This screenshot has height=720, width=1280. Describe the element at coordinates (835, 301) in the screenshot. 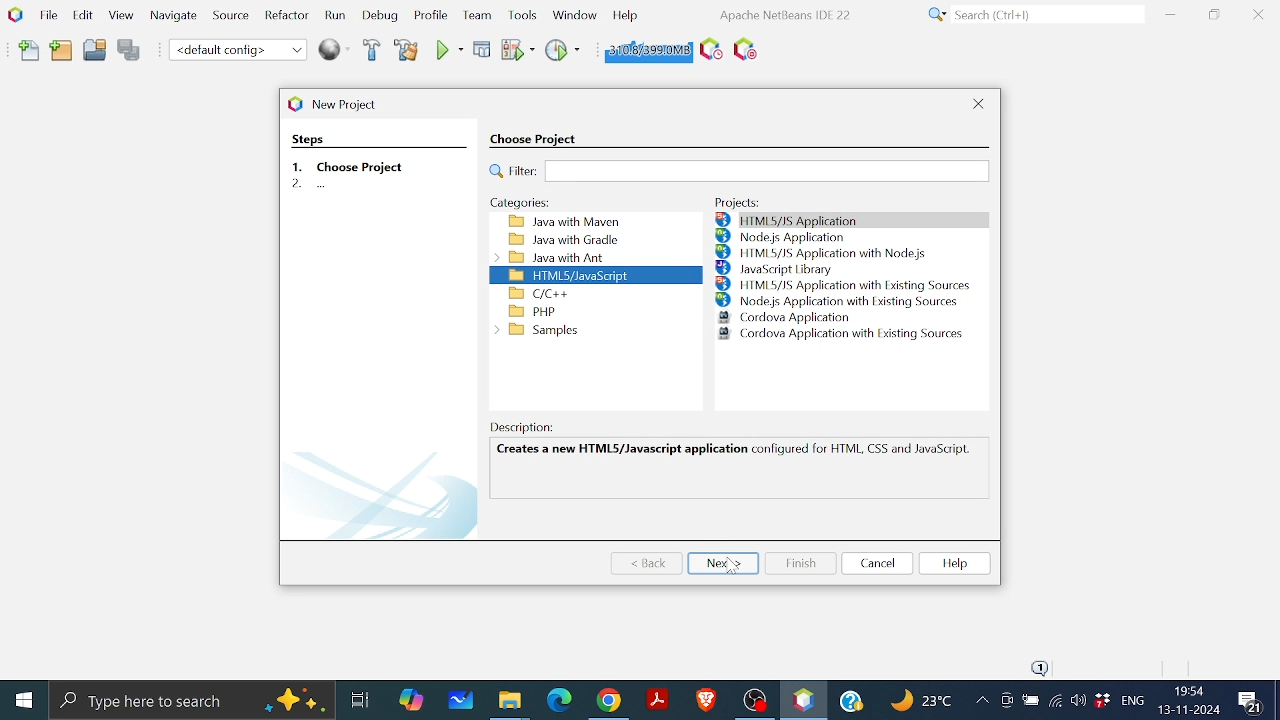

I see `Node.js Application with Existing Sources` at that location.